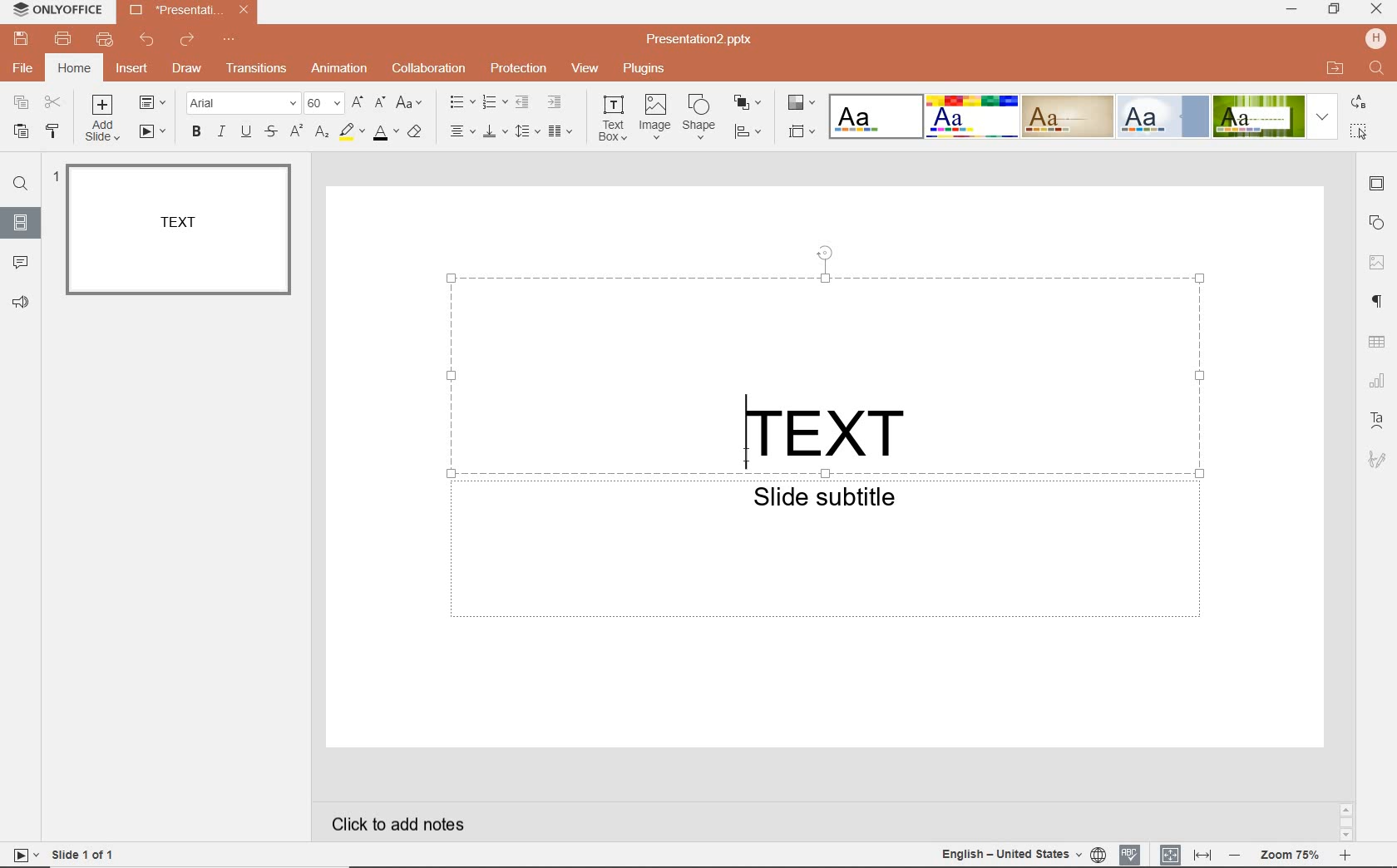 This screenshot has height=868, width=1397. Describe the element at coordinates (1083, 115) in the screenshot. I see `TEXT EFFECTS` at that location.